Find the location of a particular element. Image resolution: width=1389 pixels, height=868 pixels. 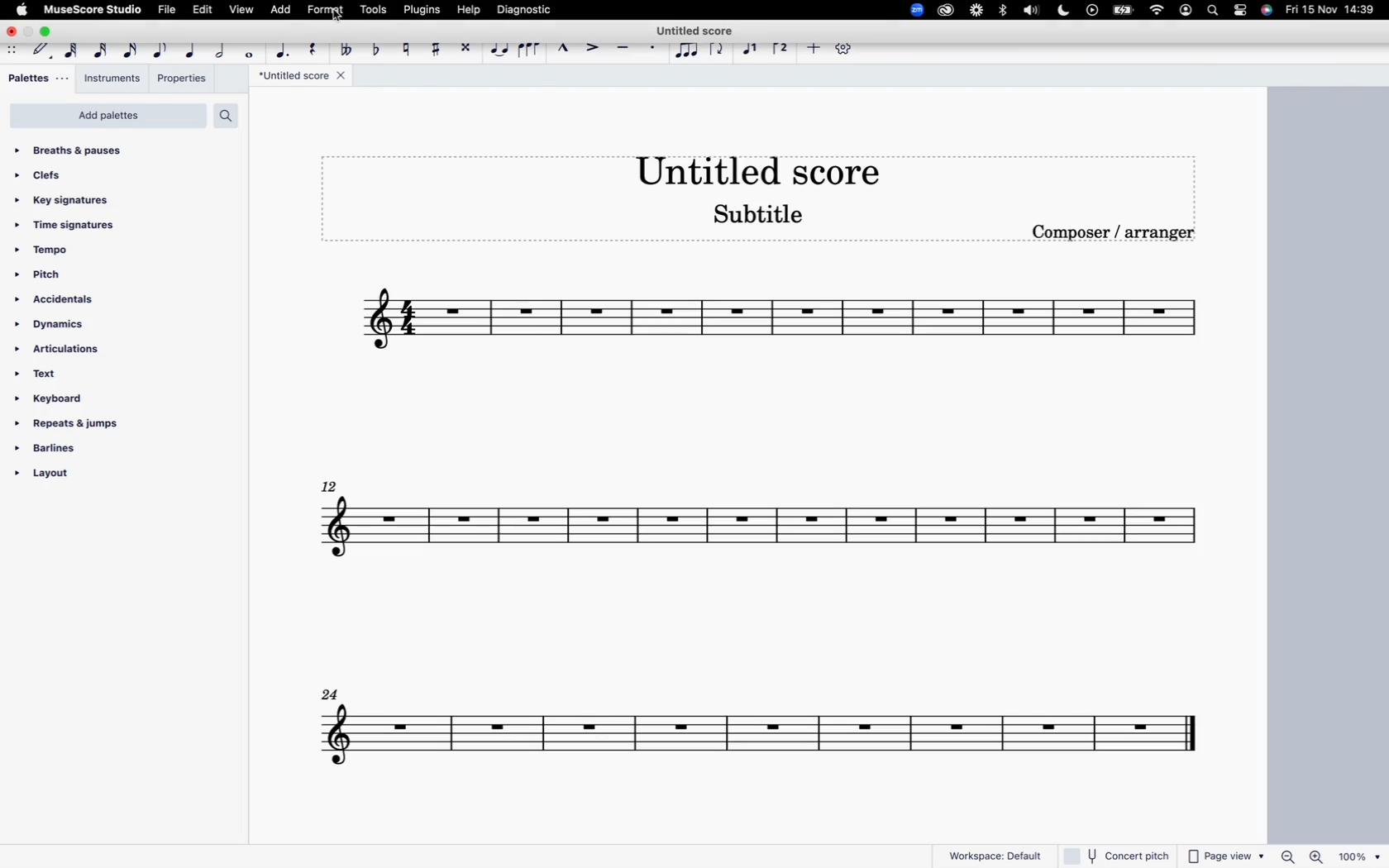

quarter note is located at coordinates (194, 51).